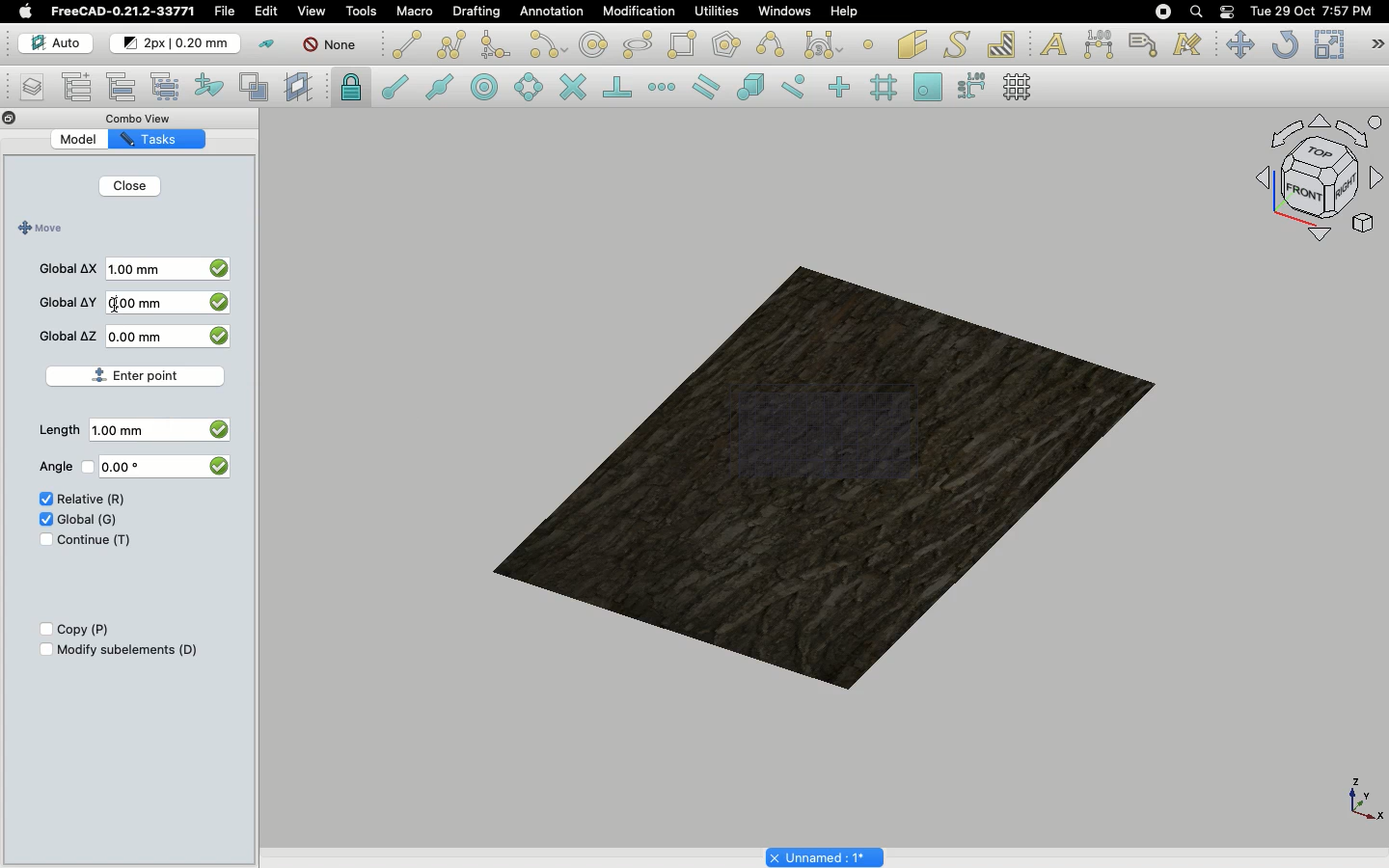 Image resolution: width=1389 pixels, height=868 pixels. Describe the element at coordinates (26, 11) in the screenshot. I see `Apple log` at that location.